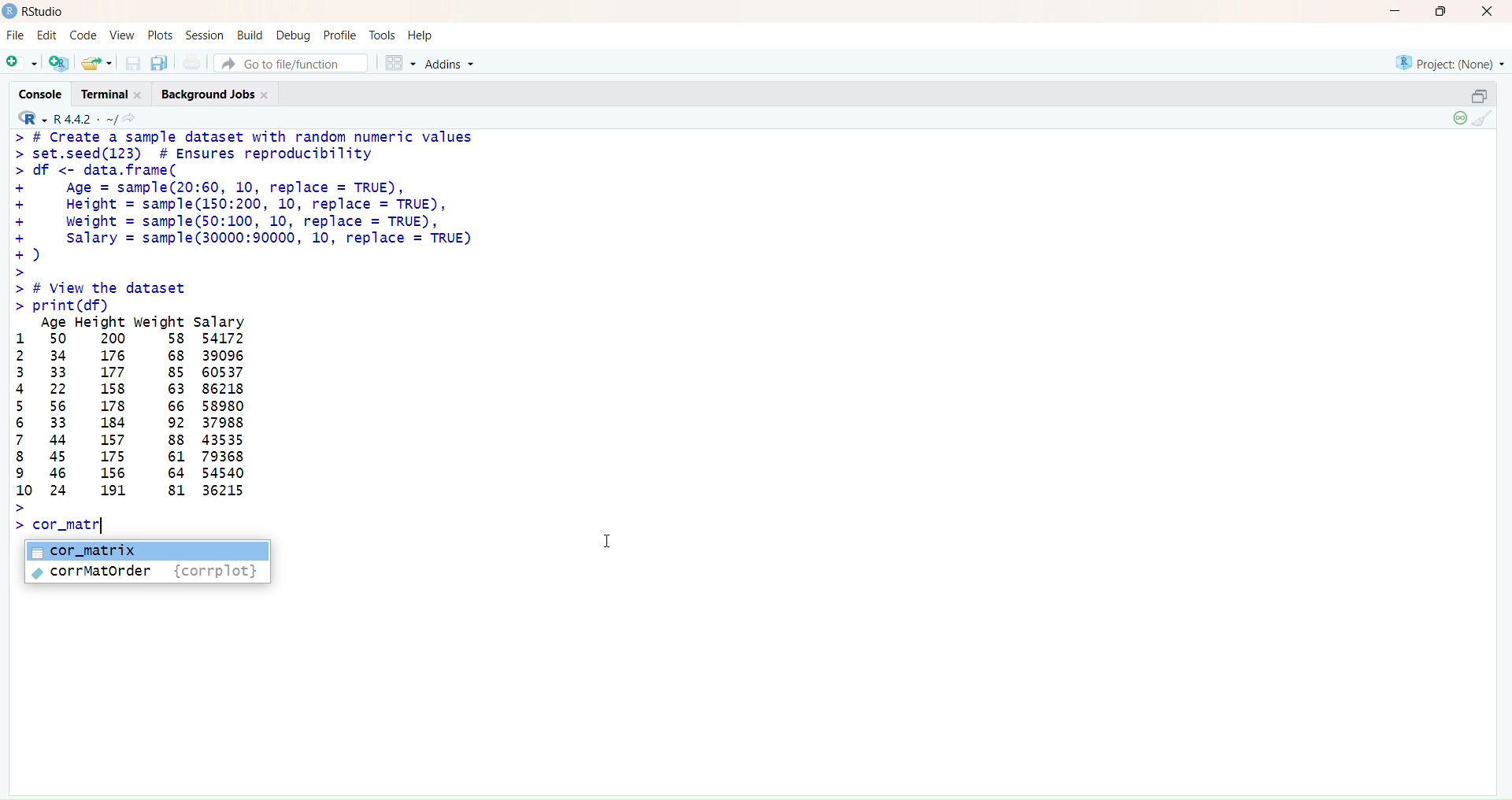  I want to click on Minimize, so click(1395, 12).